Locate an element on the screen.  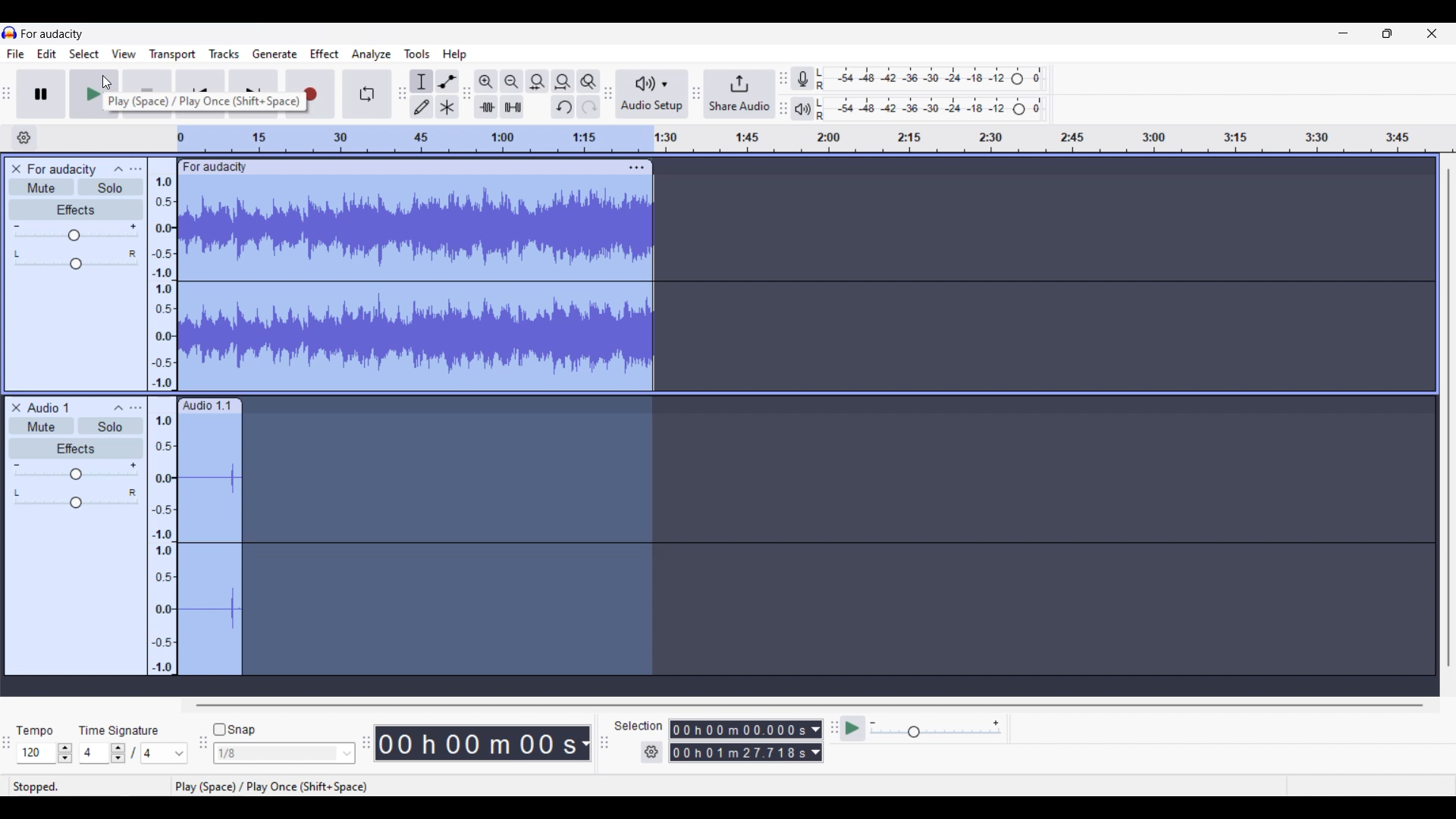
remove track is located at coordinates (16, 408).